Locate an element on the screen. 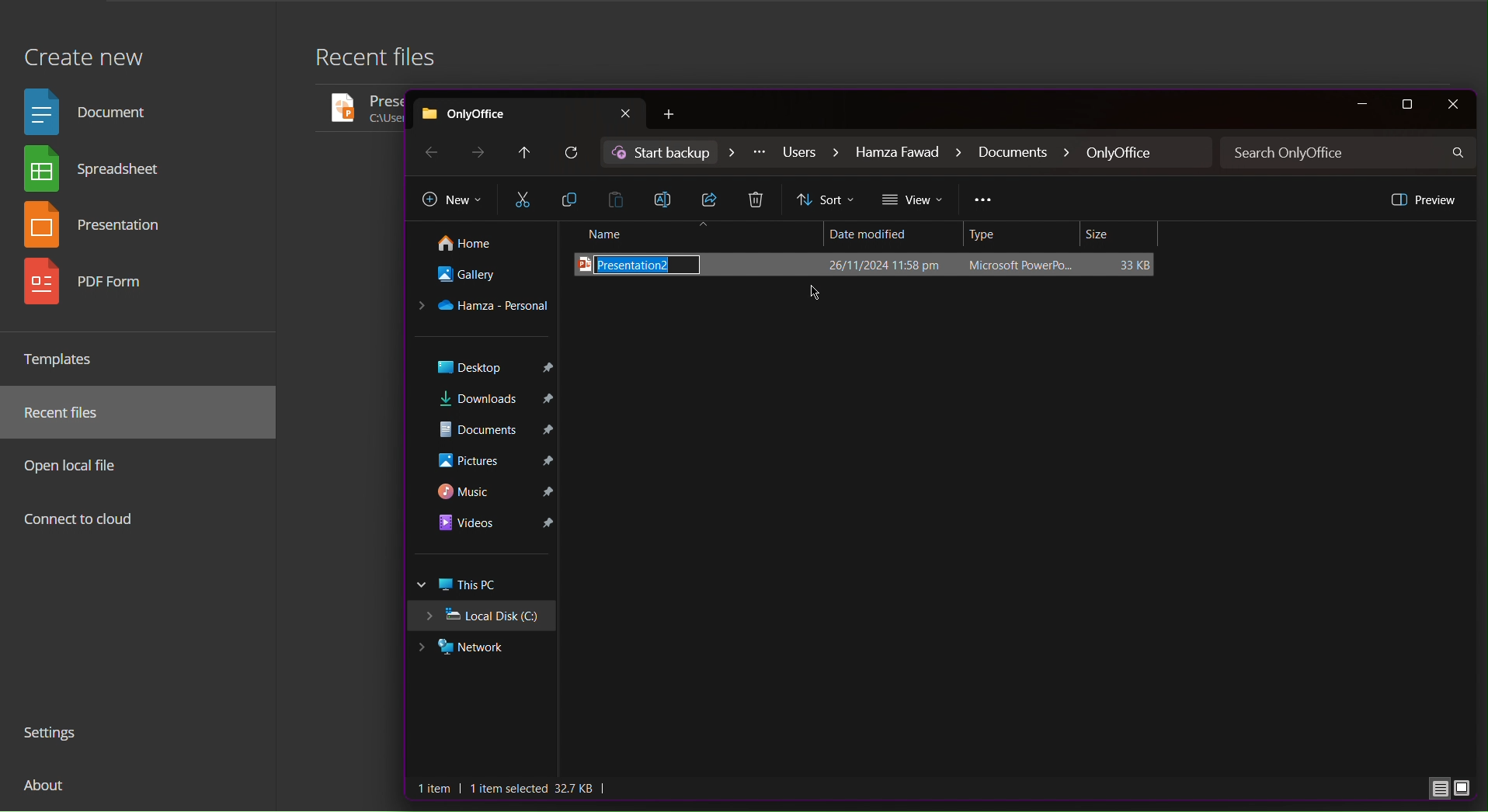  About is located at coordinates (47, 791).